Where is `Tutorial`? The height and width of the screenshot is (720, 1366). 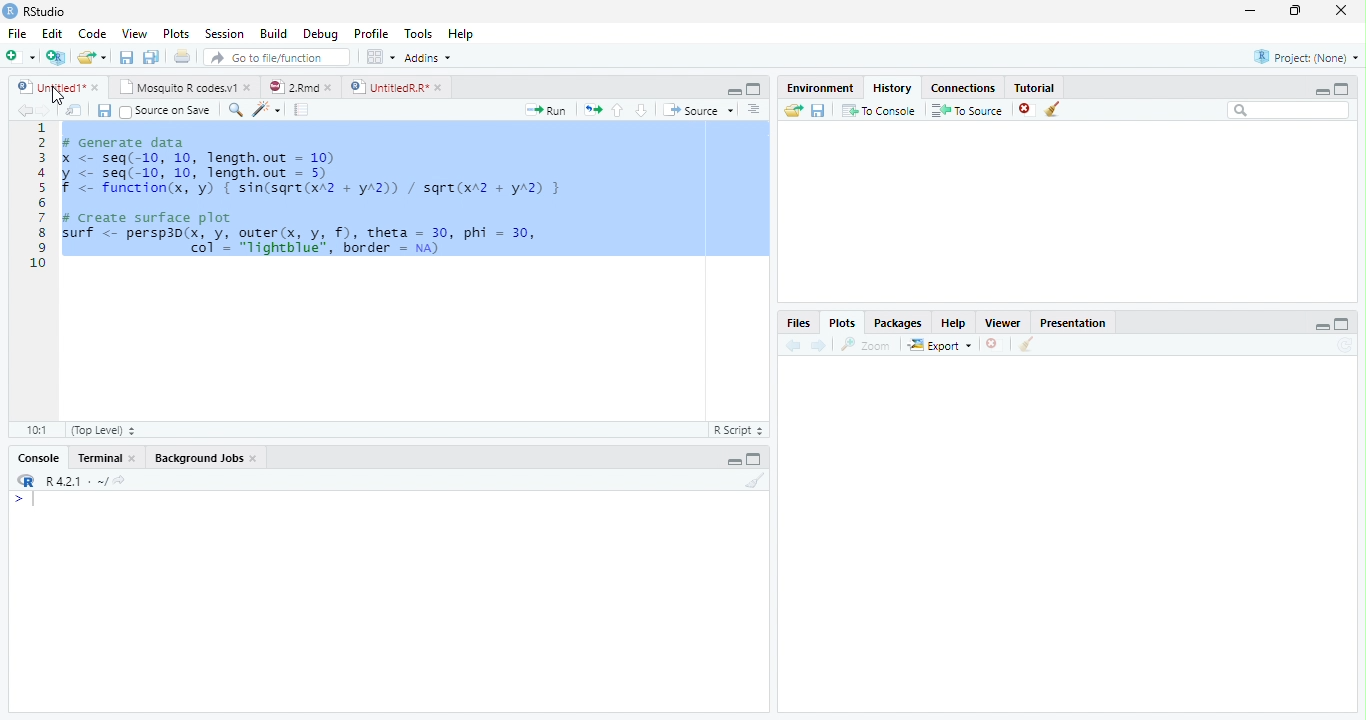
Tutorial is located at coordinates (1034, 86).